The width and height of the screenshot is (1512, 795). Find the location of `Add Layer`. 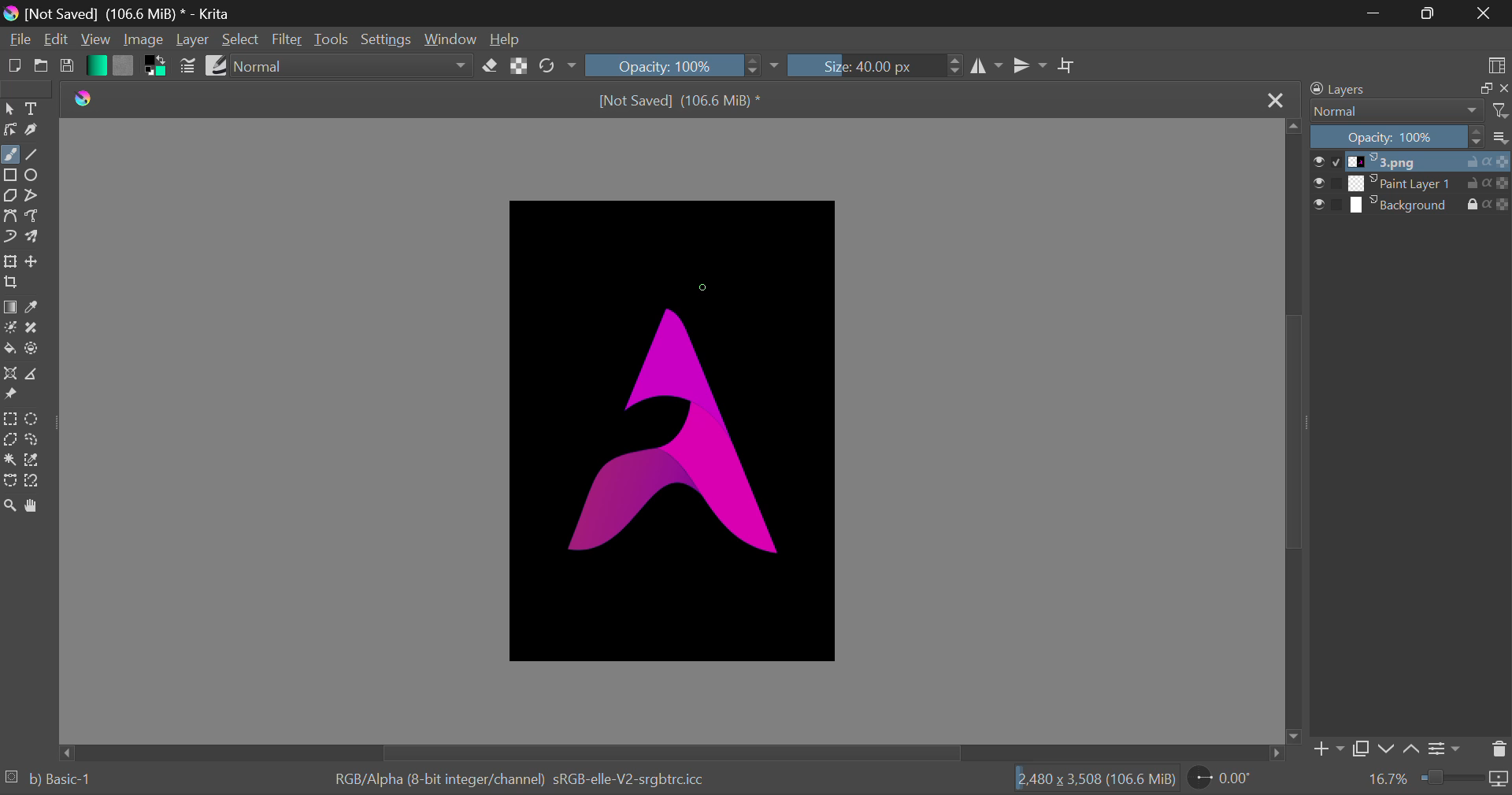

Add Layer is located at coordinates (1329, 749).